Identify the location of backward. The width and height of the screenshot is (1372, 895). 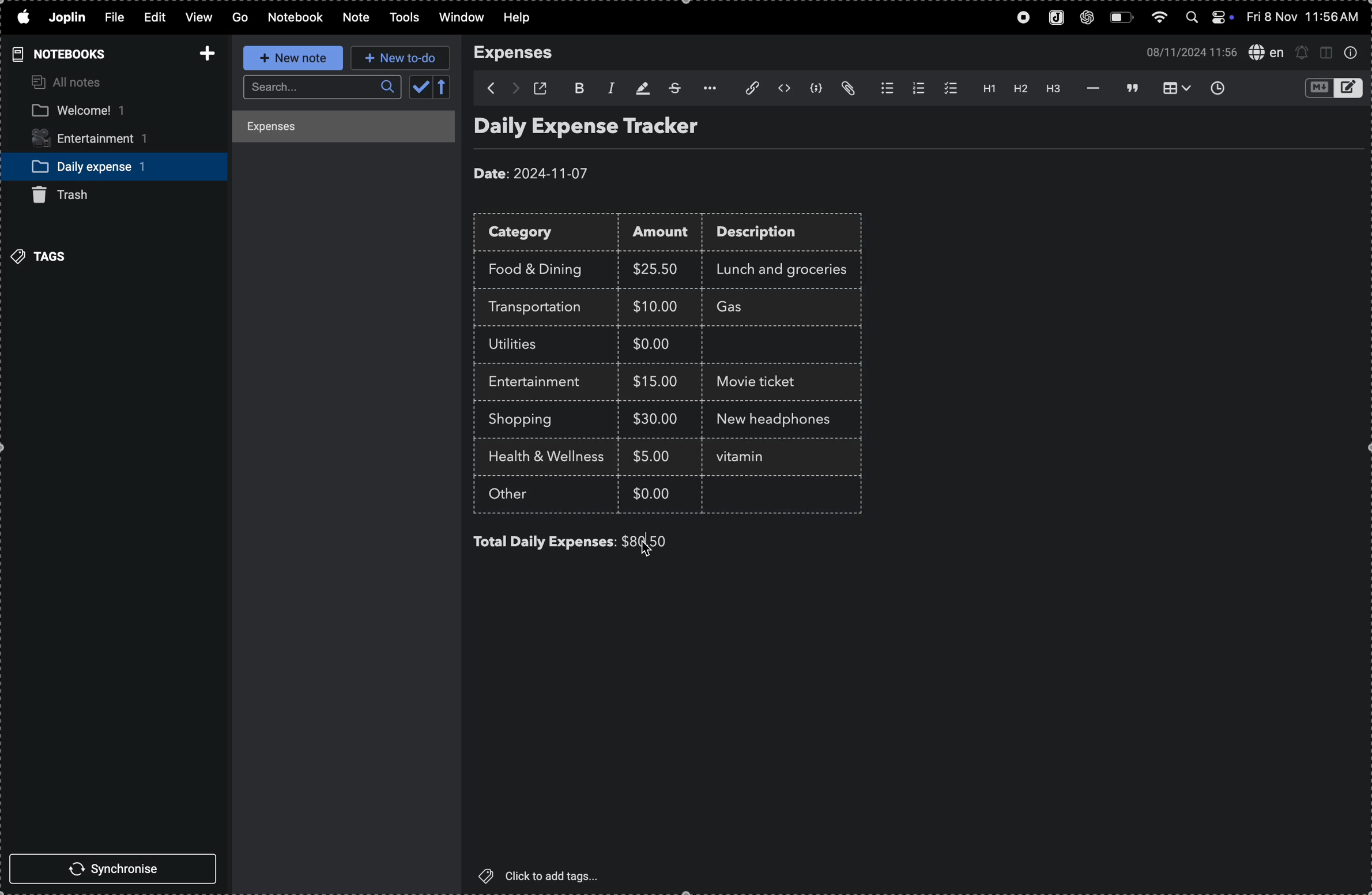
(485, 88).